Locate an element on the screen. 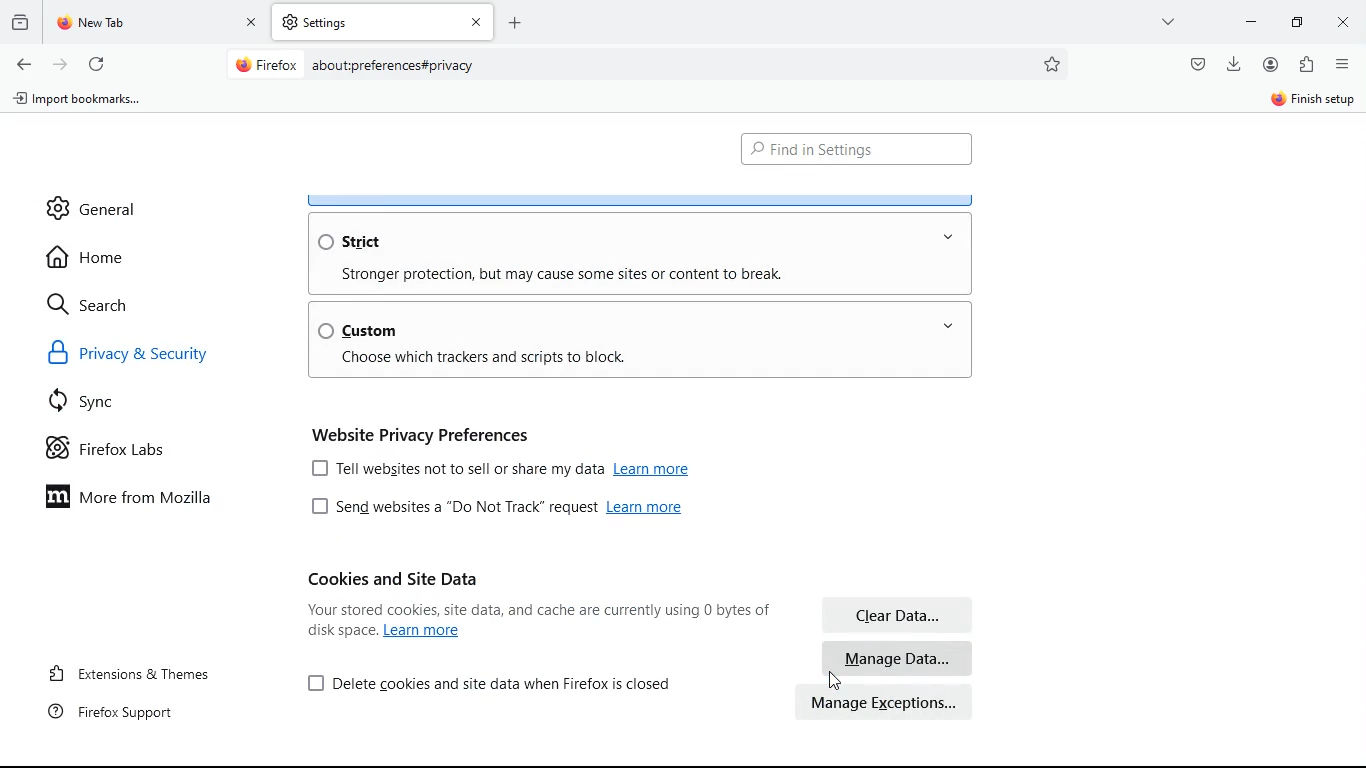  custom is located at coordinates (362, 330).